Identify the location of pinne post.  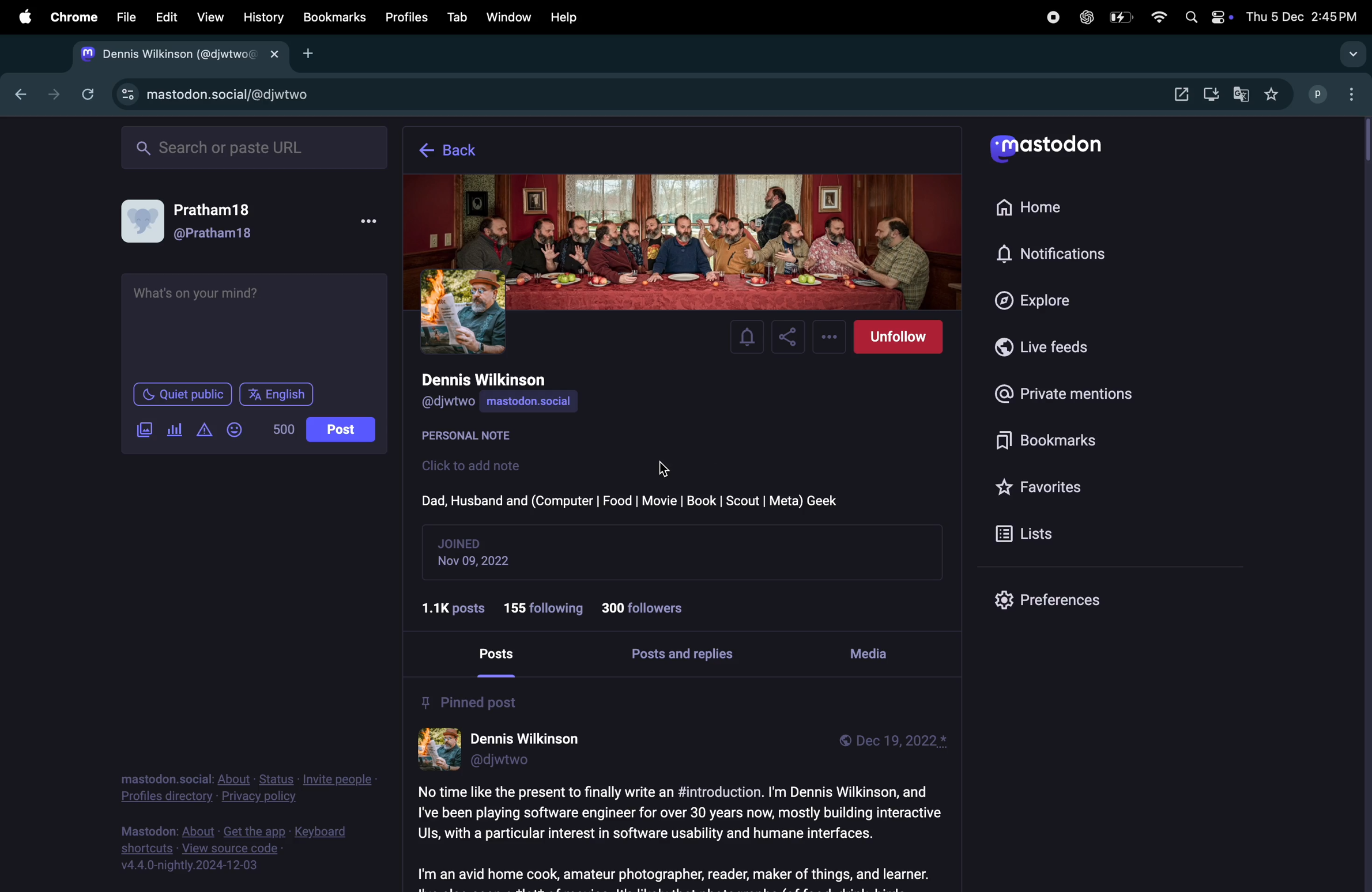
(470, 701).